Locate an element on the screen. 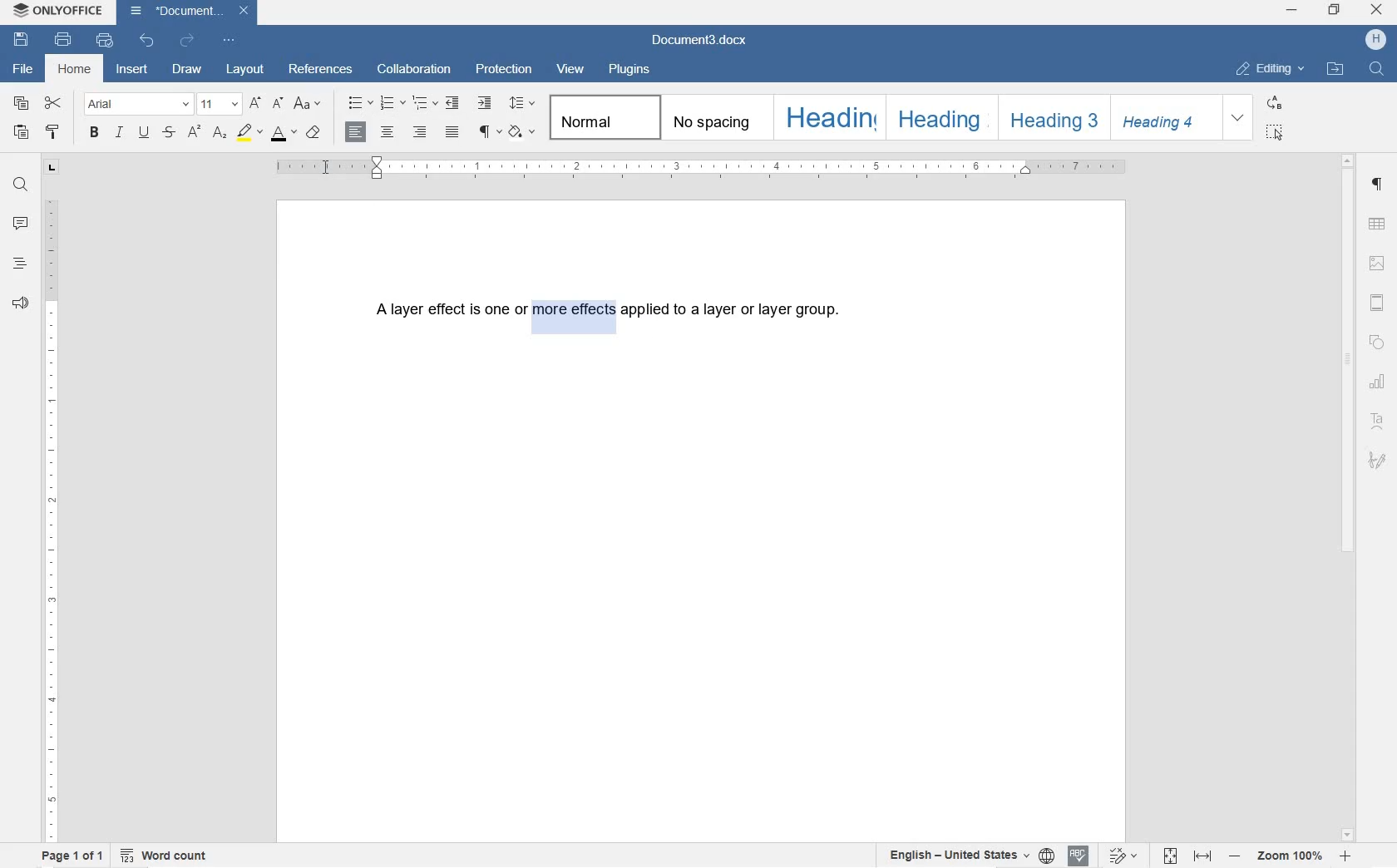 Image resolution: width=1397 pixels, height=868 pixels. SYSTEM NAME is located at coordinates (58, 8).